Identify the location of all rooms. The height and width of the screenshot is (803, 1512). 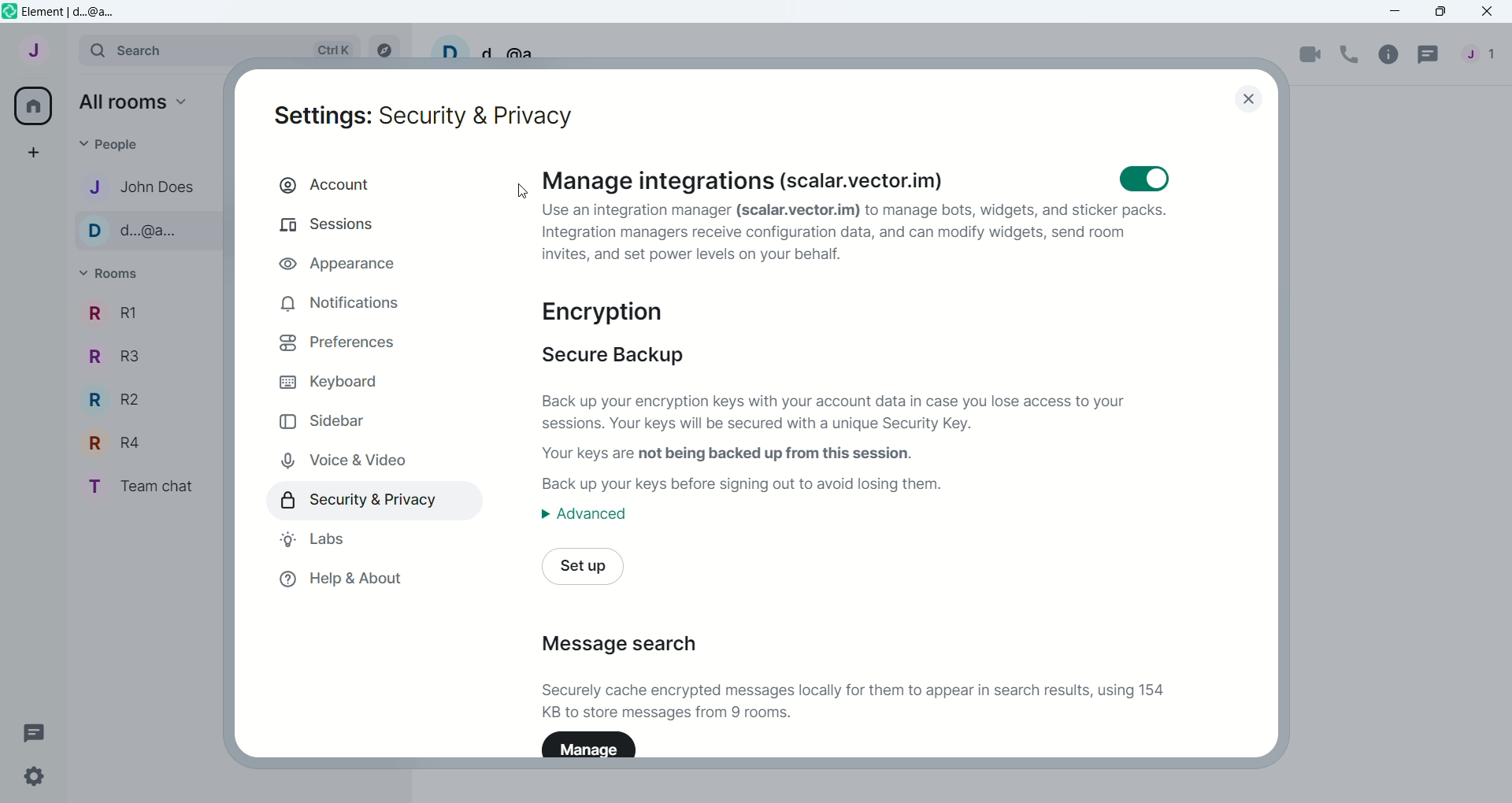
(32, 108).